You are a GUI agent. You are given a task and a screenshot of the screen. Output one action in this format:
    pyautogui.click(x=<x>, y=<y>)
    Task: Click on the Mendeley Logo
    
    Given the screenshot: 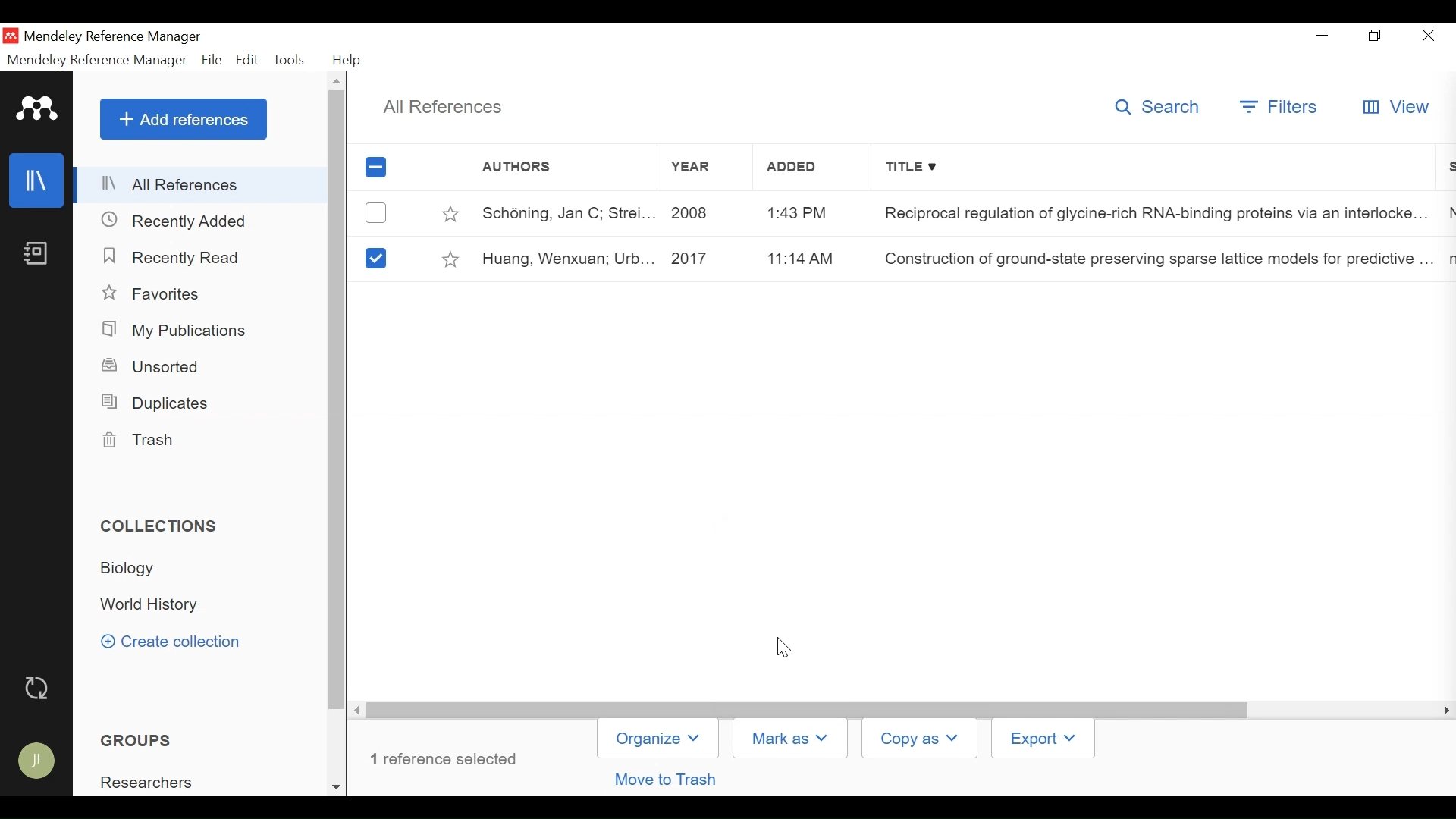 What is the action you would take?
    pyautogui.click(x=39, y=111)
    